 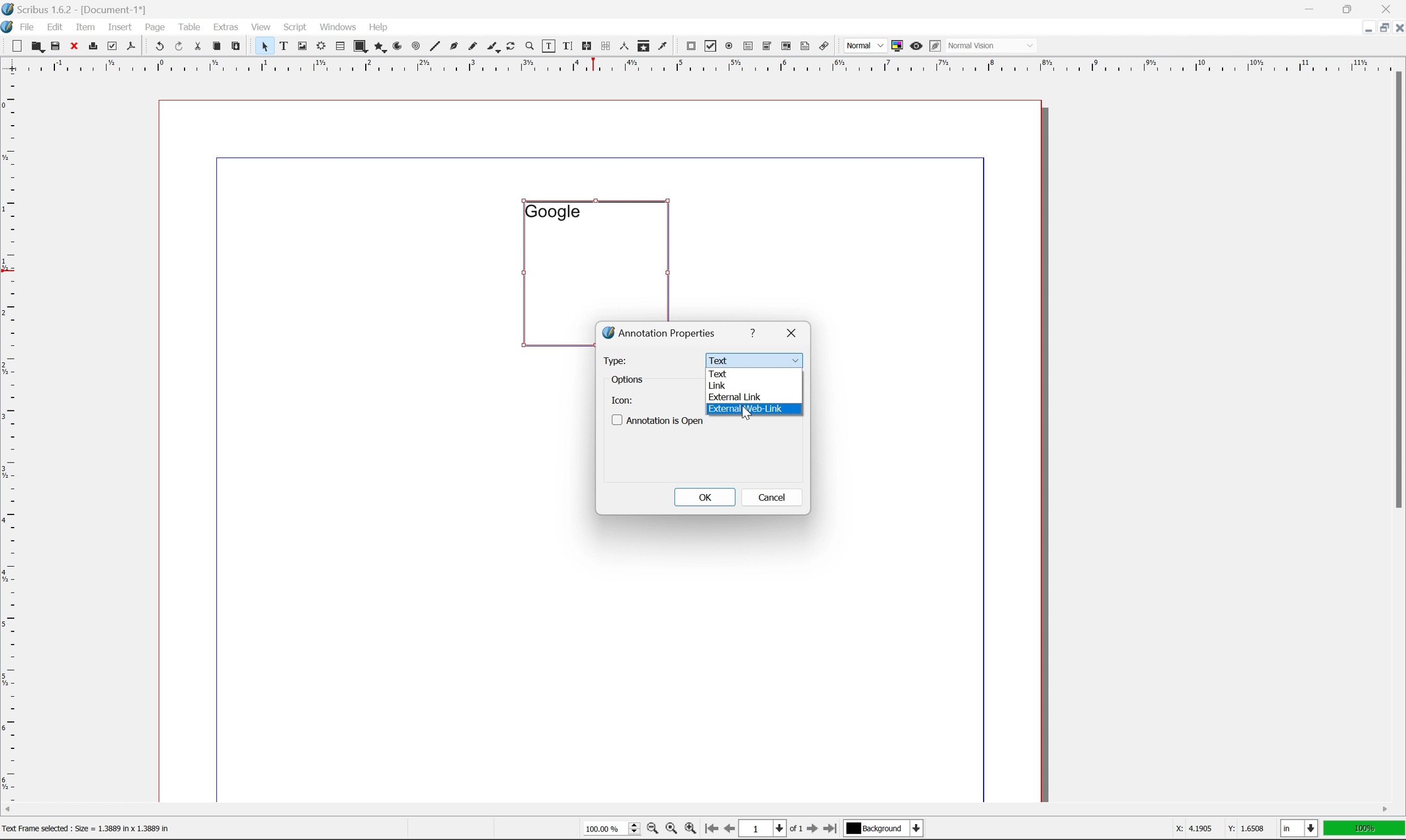 What do you see at coordinates (1379, 28) in the screenshot?
I see `restore down` at bounding box center [1379, 28].